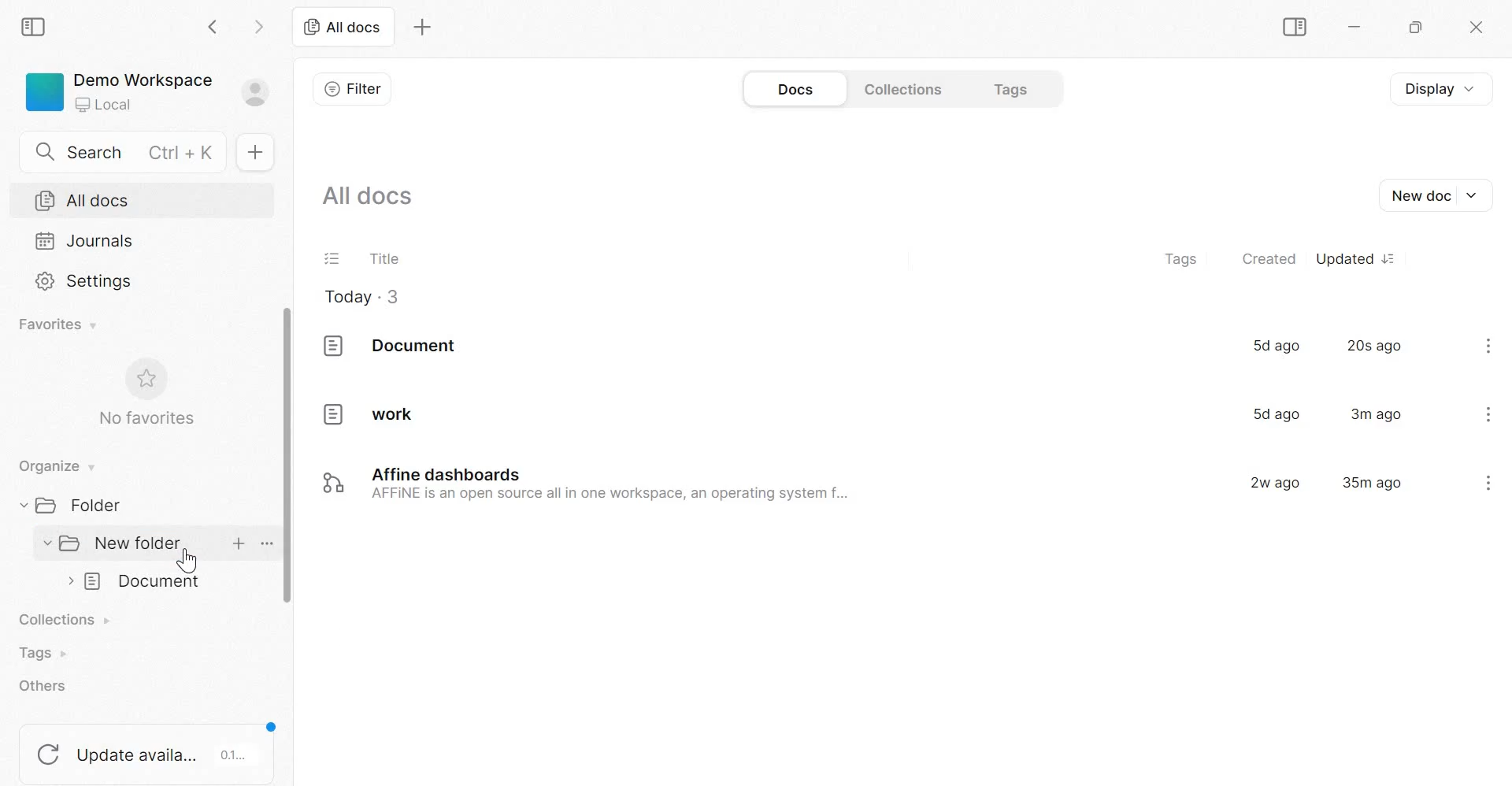 The image size is (1512, 786). Describe the element at coordinates (43, 653) in the screenshot. I see `Tags` at that location.